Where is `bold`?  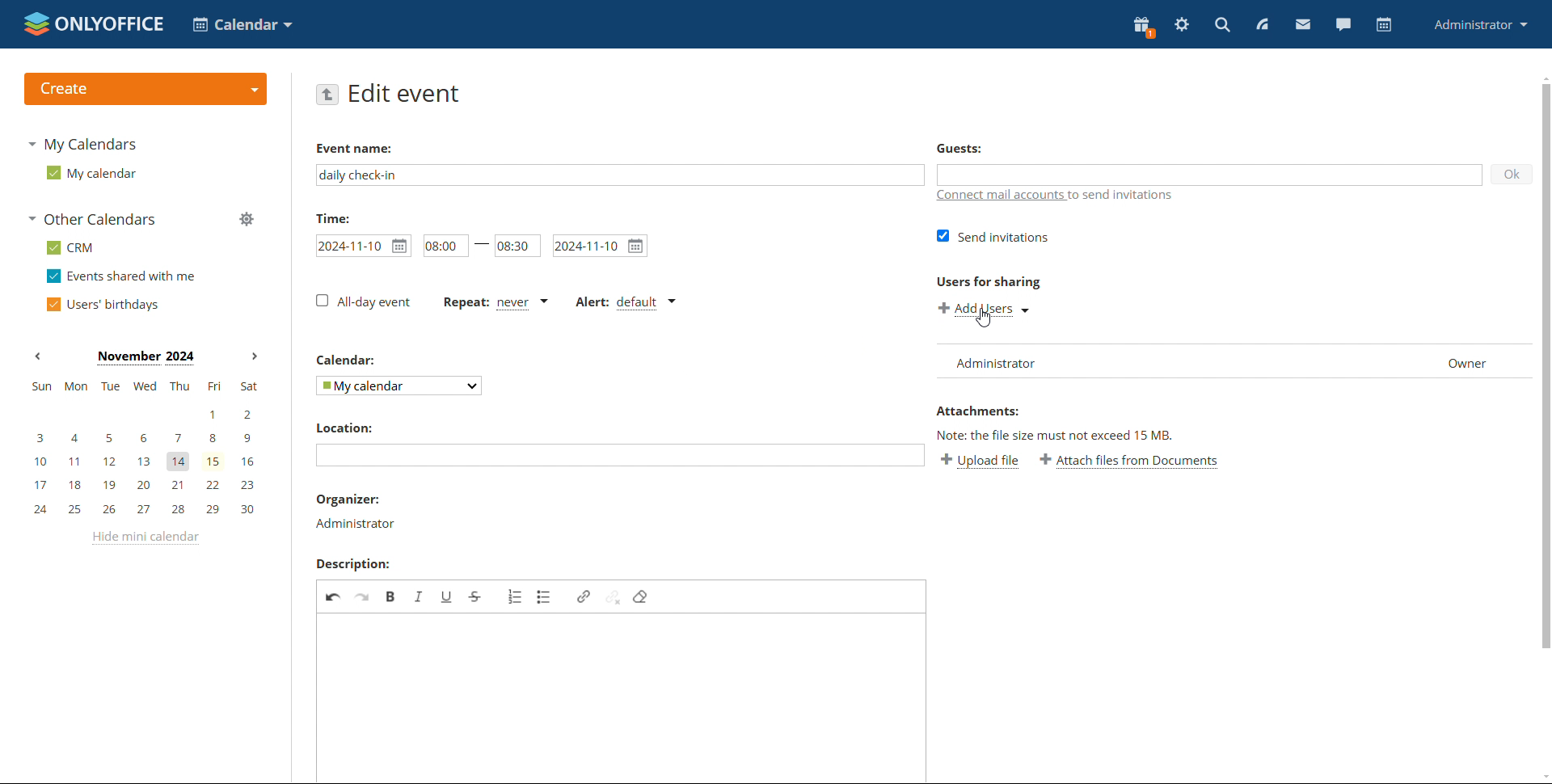 bold is located at coordinates (392, 596).